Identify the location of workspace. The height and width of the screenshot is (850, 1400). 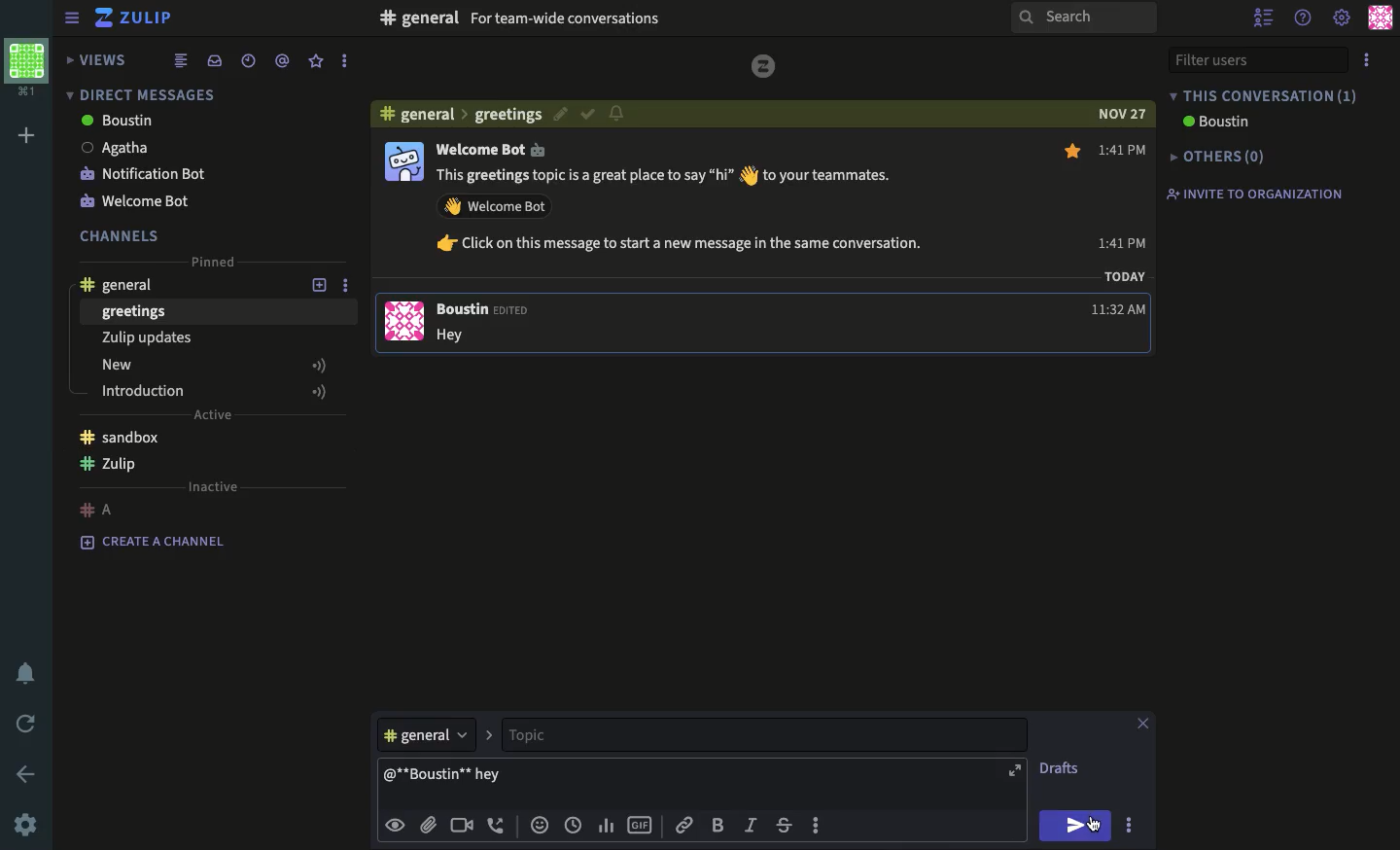
(30, 66).